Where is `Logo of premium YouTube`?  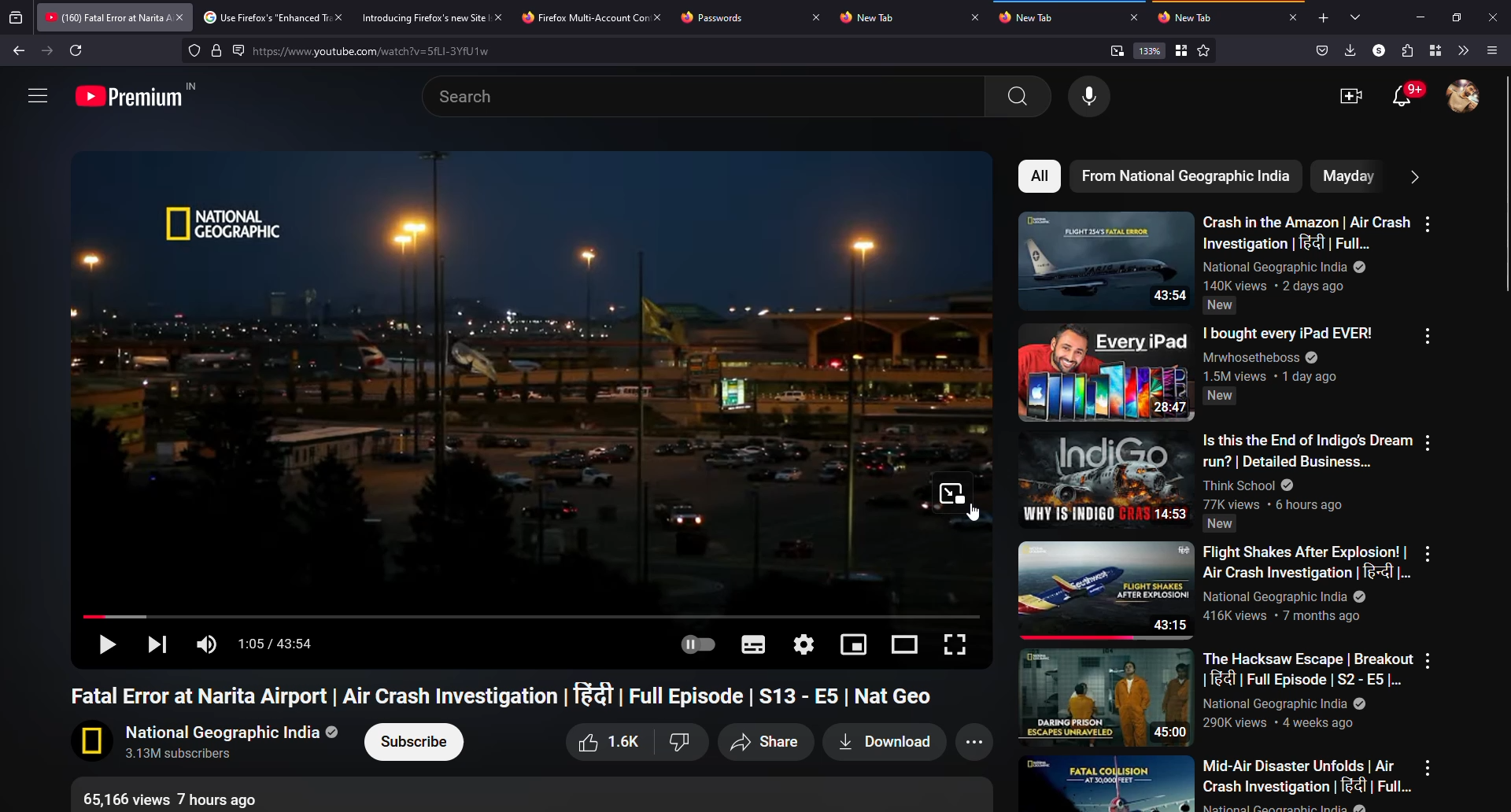 Logo of premium YouTube is located at coordinates (139, 94).